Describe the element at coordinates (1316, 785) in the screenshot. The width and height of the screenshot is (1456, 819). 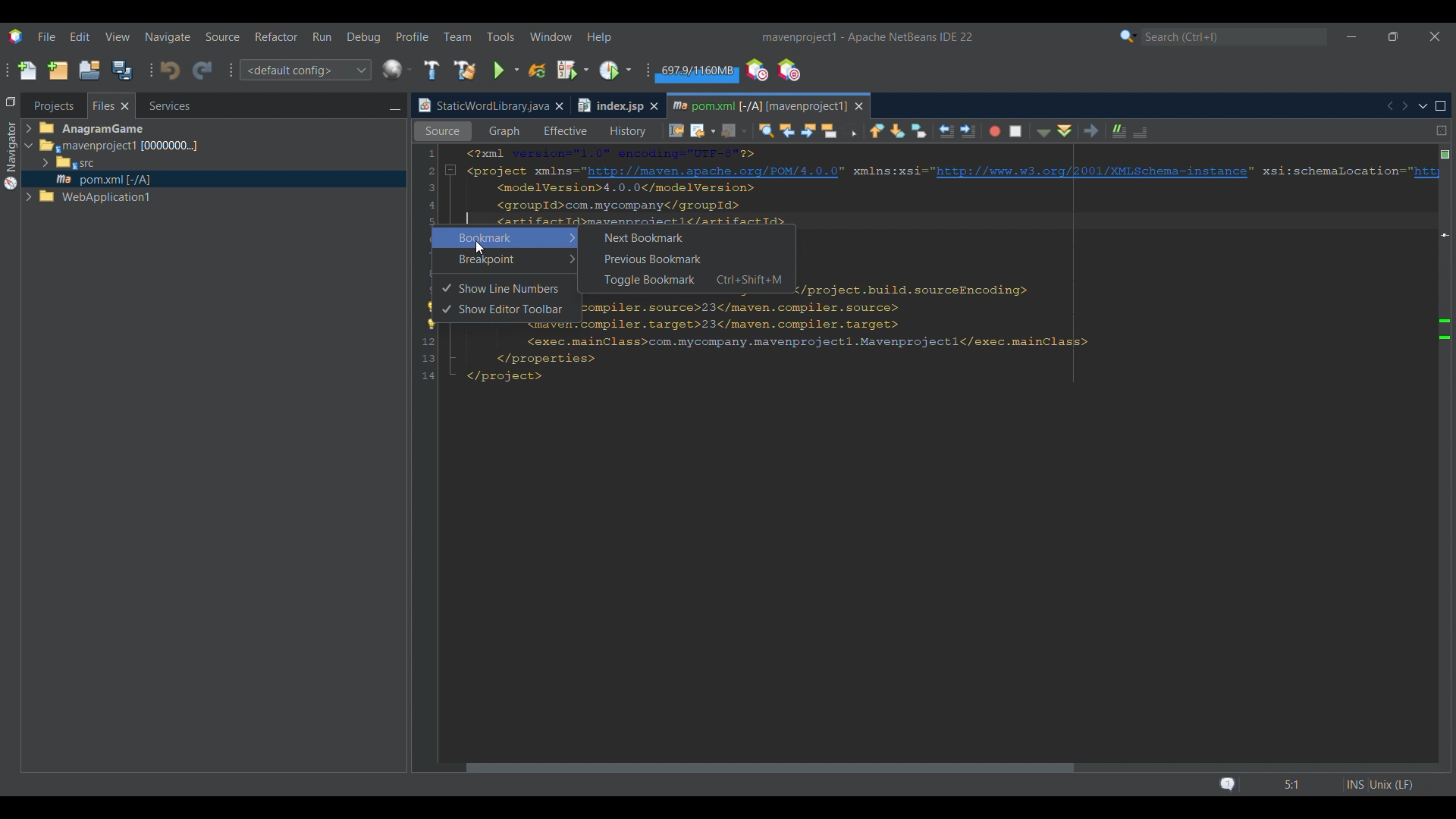
I see `Status bar details changed` at that location.